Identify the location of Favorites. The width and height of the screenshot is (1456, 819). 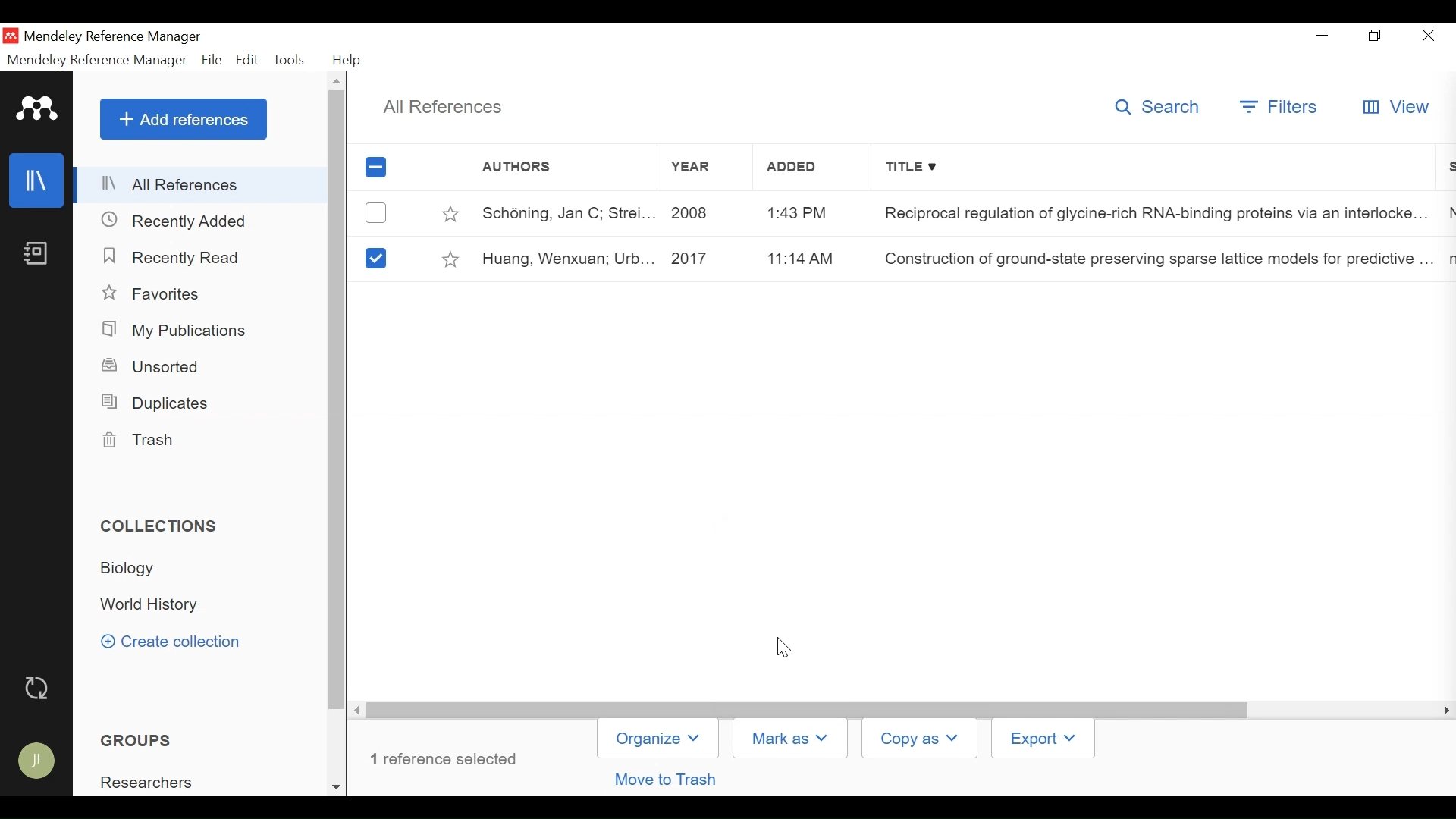
(156, 293).